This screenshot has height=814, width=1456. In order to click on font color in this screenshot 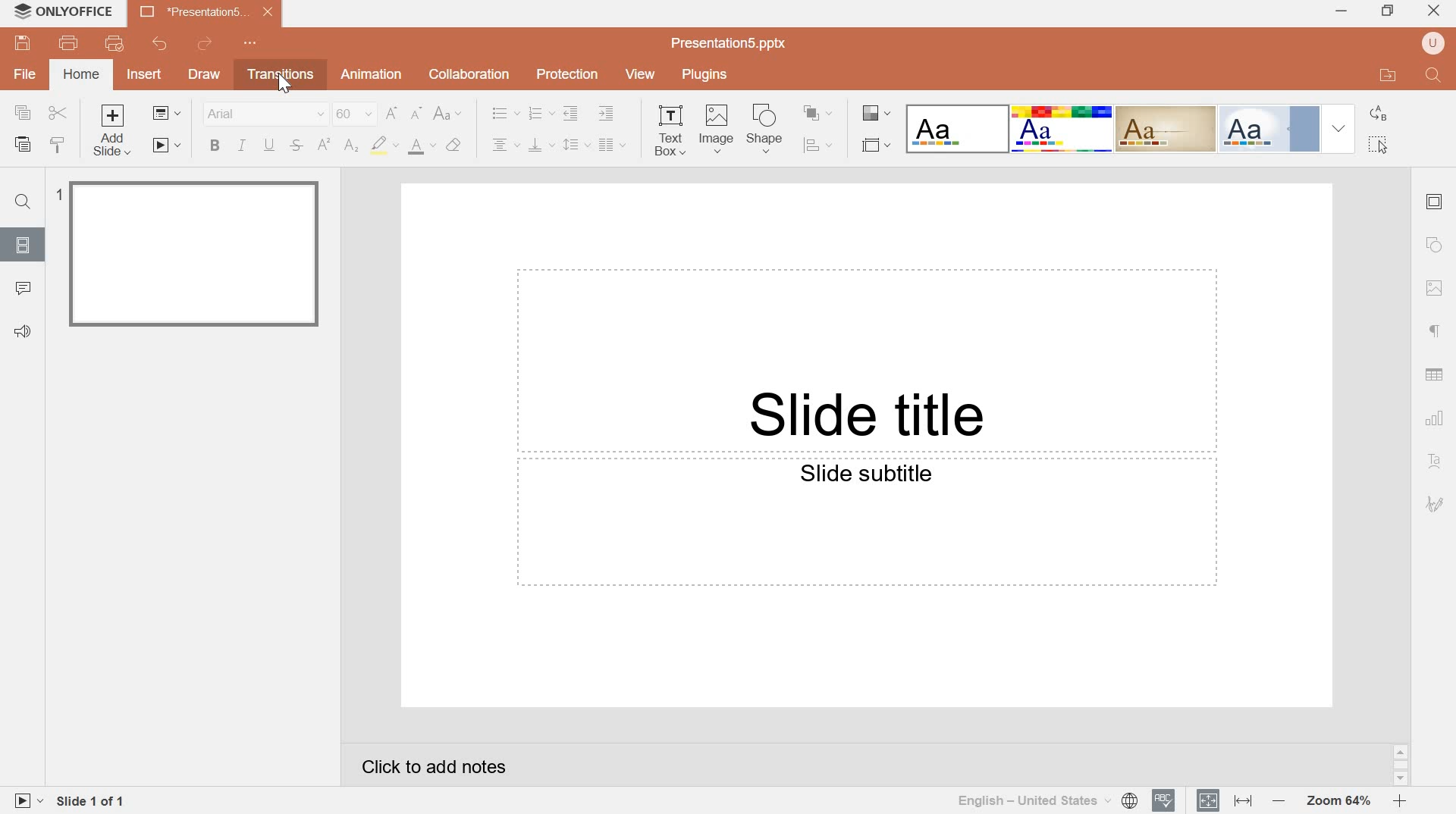, I will do `click(423, 148)`.